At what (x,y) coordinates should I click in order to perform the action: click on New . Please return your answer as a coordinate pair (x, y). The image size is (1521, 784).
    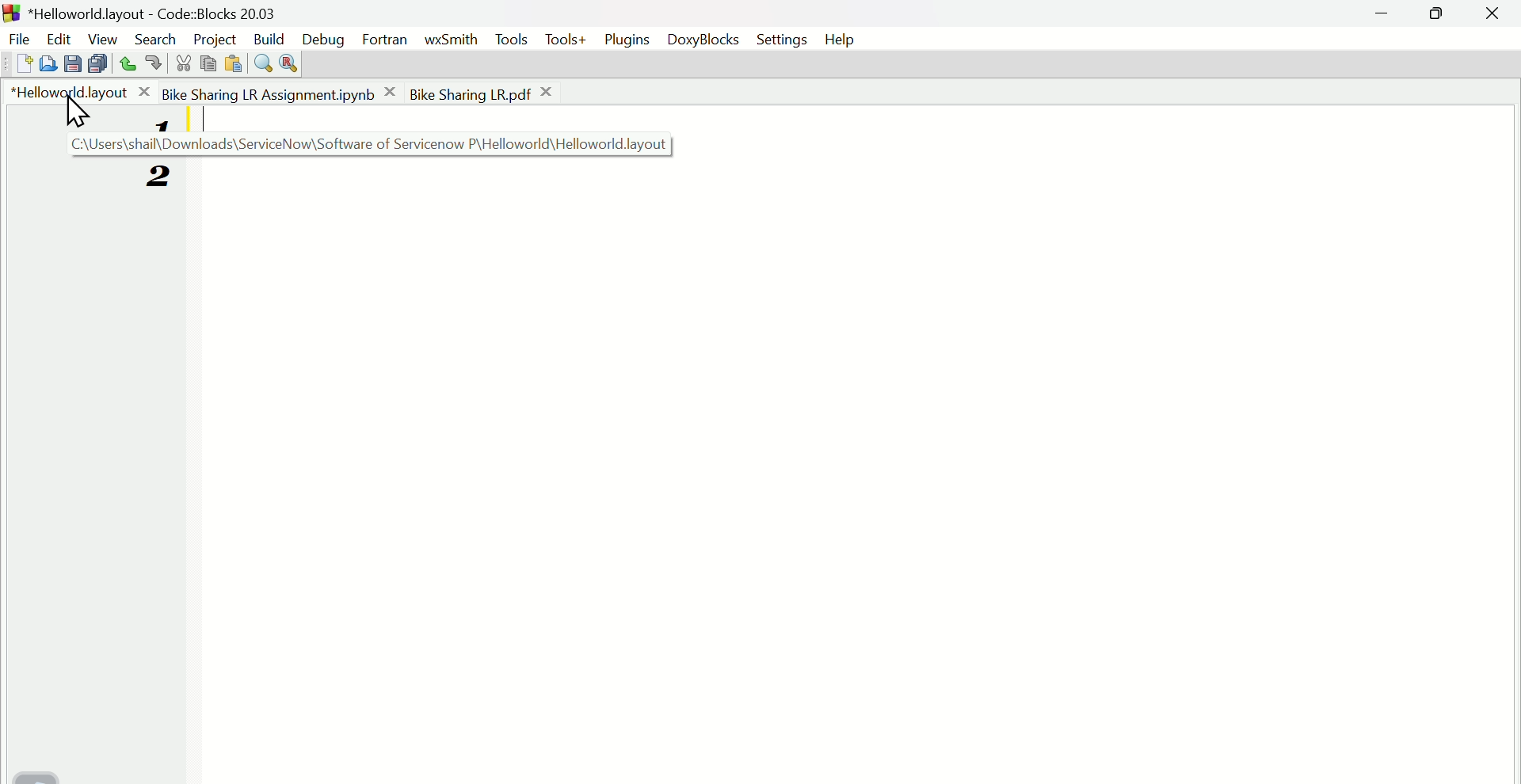
    Looking at the image, I should click on (16, 64).